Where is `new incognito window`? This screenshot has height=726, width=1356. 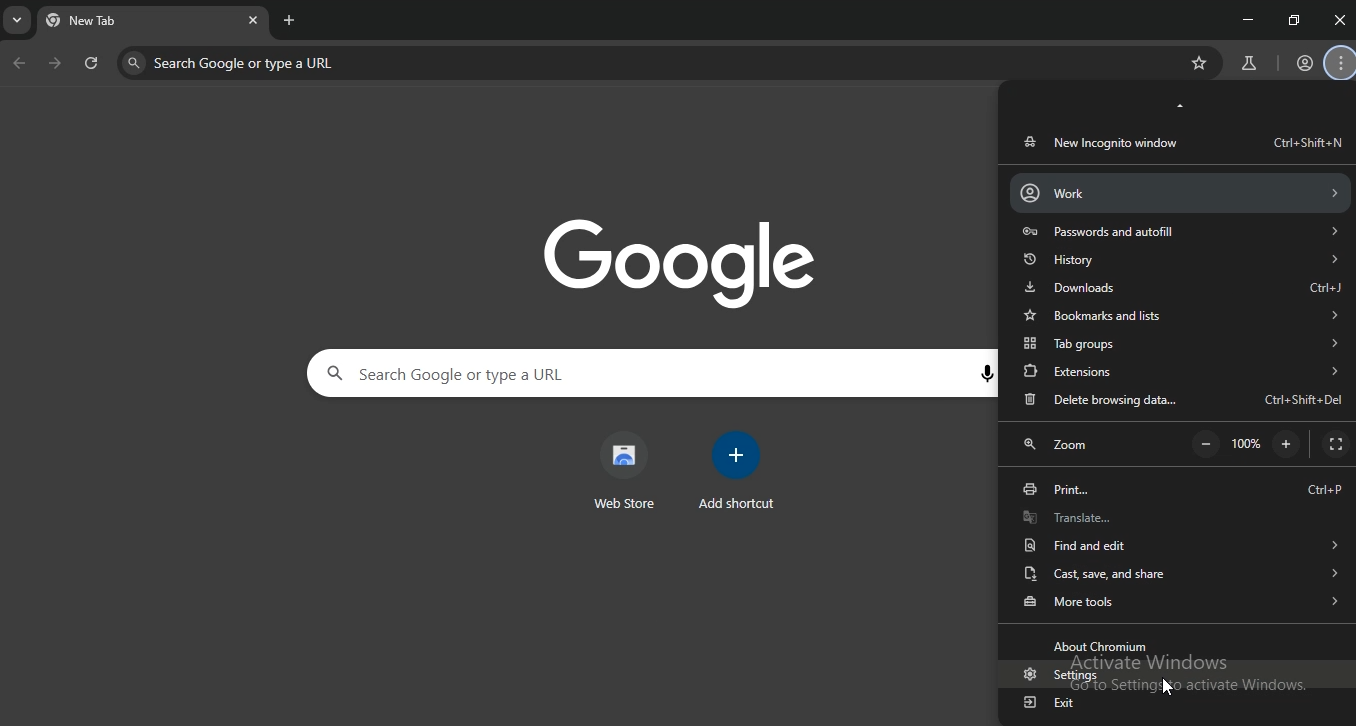 new incognito window is located at coordinates (1180, 142).